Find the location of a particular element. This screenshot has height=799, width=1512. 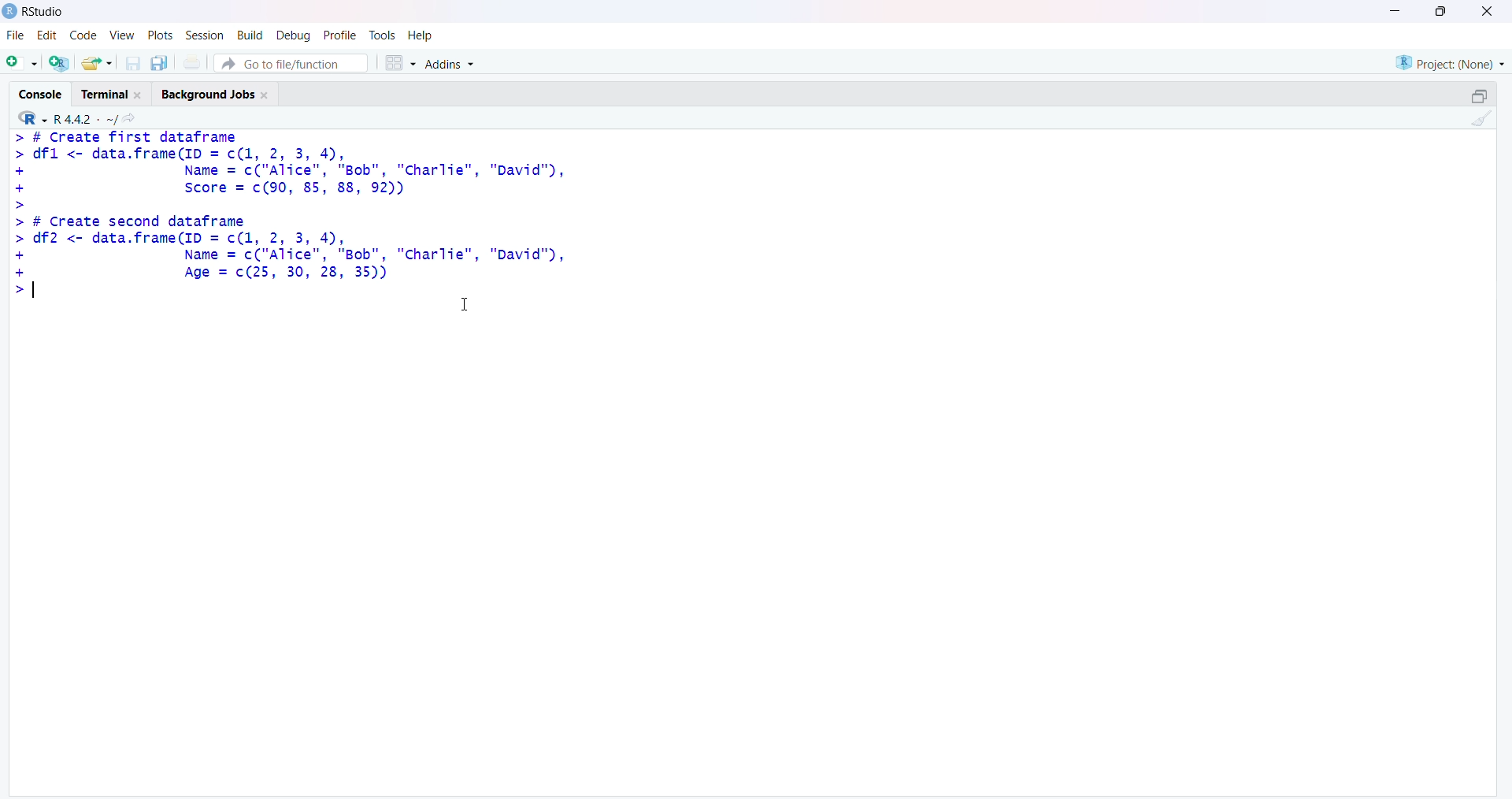

Console is located at coordinates (41, 95).